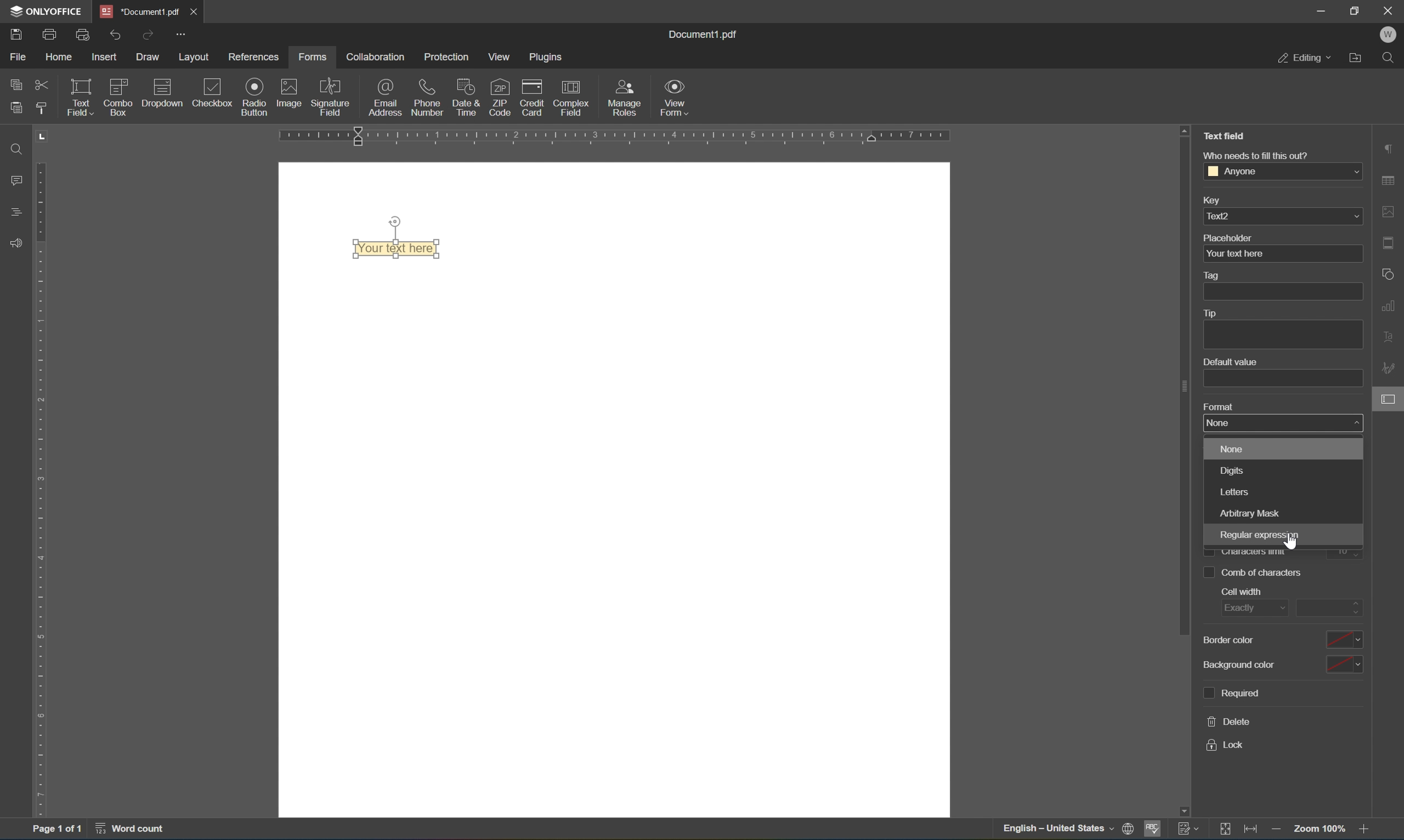 This screenshot has width=1404, height=840. I want to click on Find, so click(18, 150).